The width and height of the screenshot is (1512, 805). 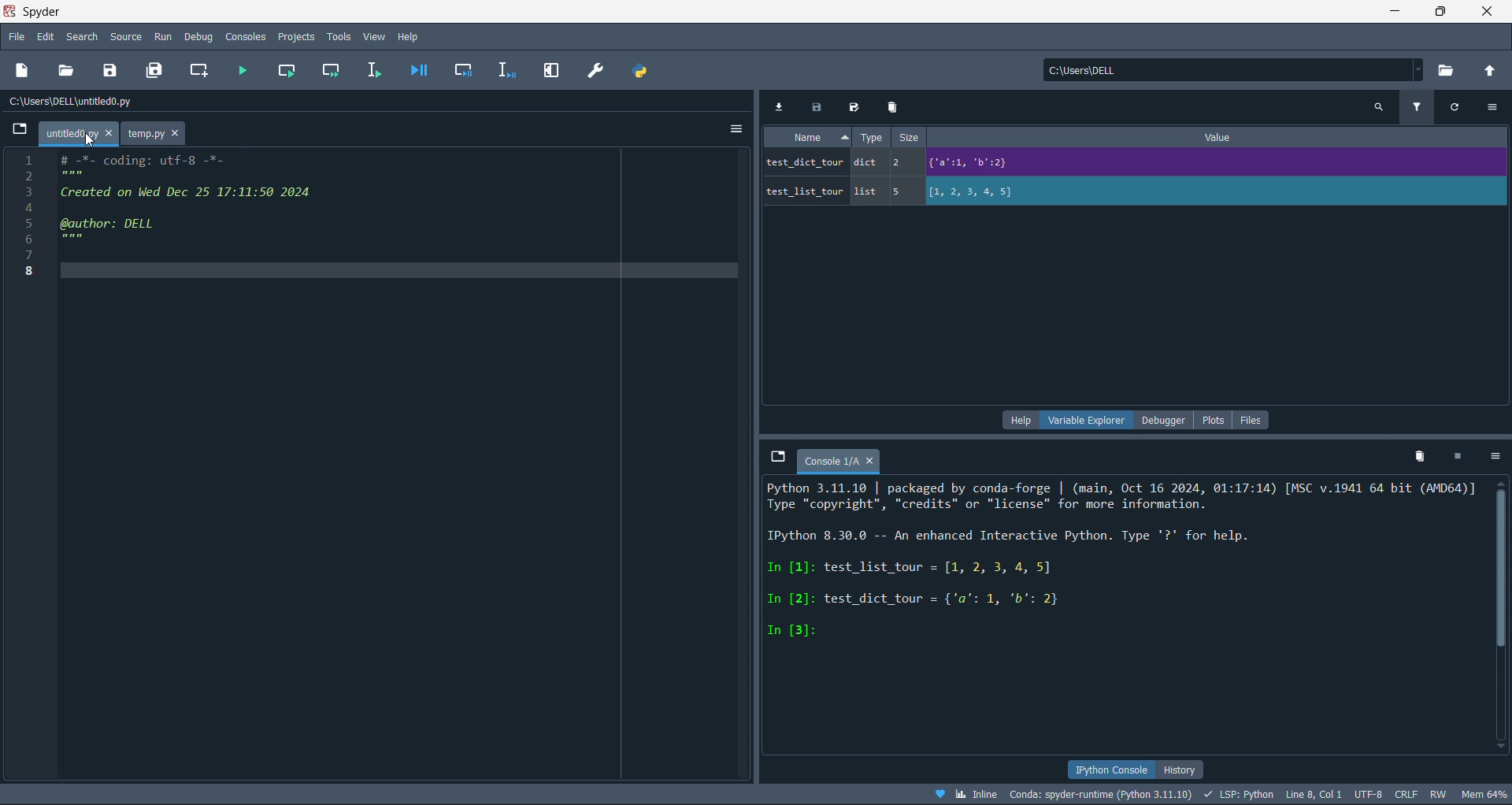 What do you see at coordinates (458, 69) in the screenshot?
I see `debug cell` at bounding box center [458, 69].